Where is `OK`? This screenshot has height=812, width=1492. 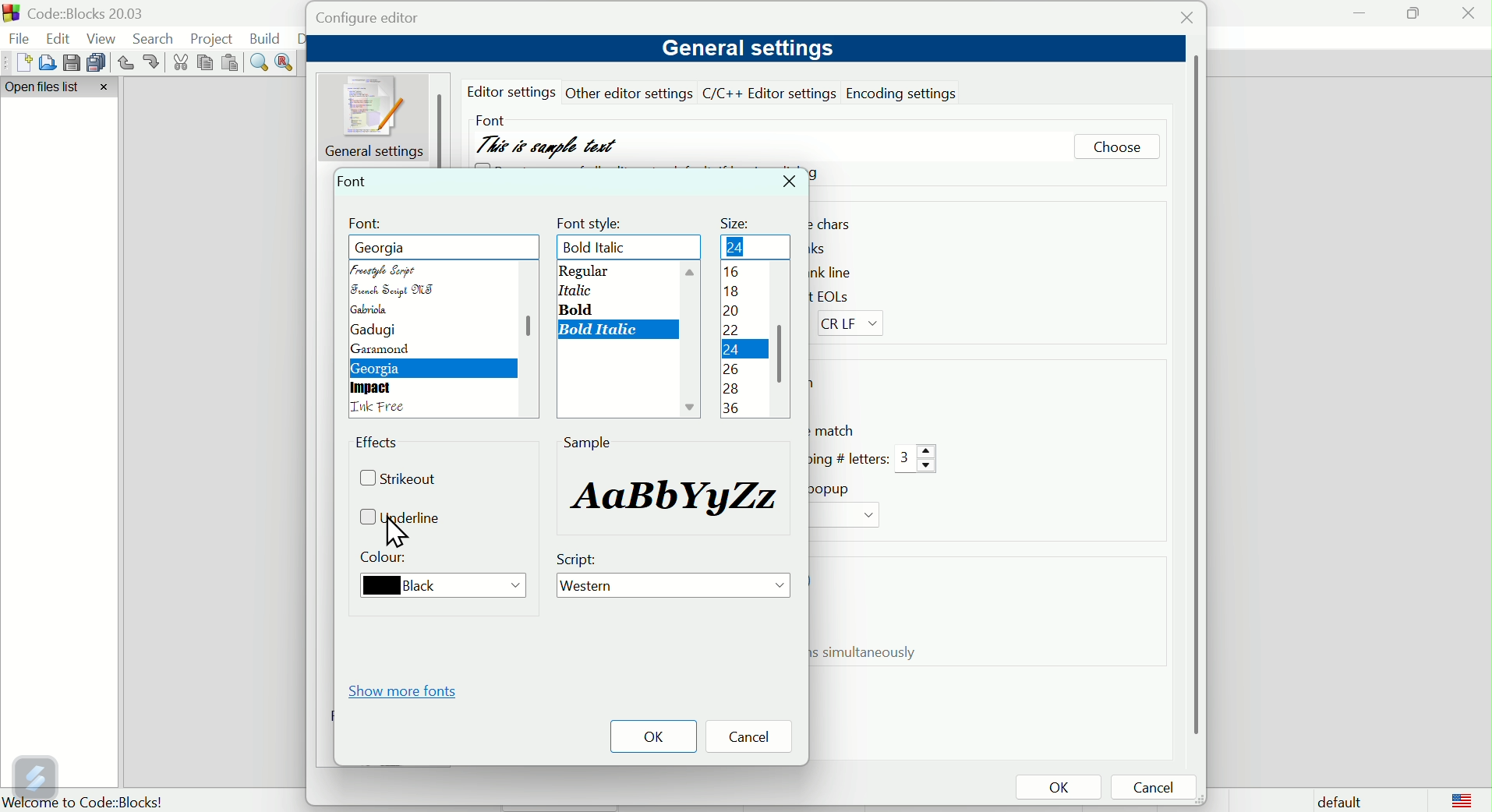 OK is located at coordinates (1058, 789).